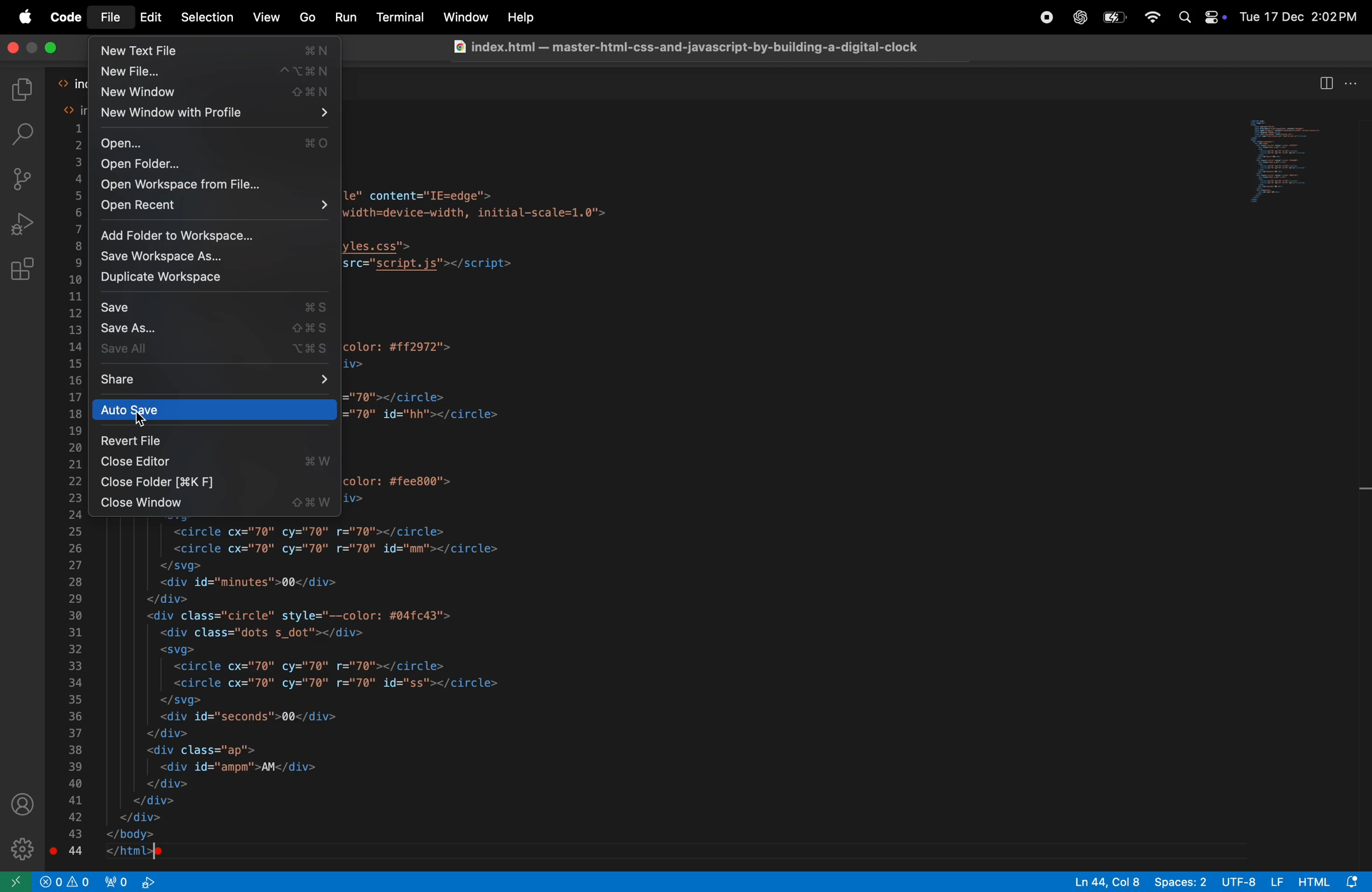 The height and width of the screenshot is (892, 1372). Describe the element at coordinates (81, 880) in the screenshot. I see `alert` at that location.